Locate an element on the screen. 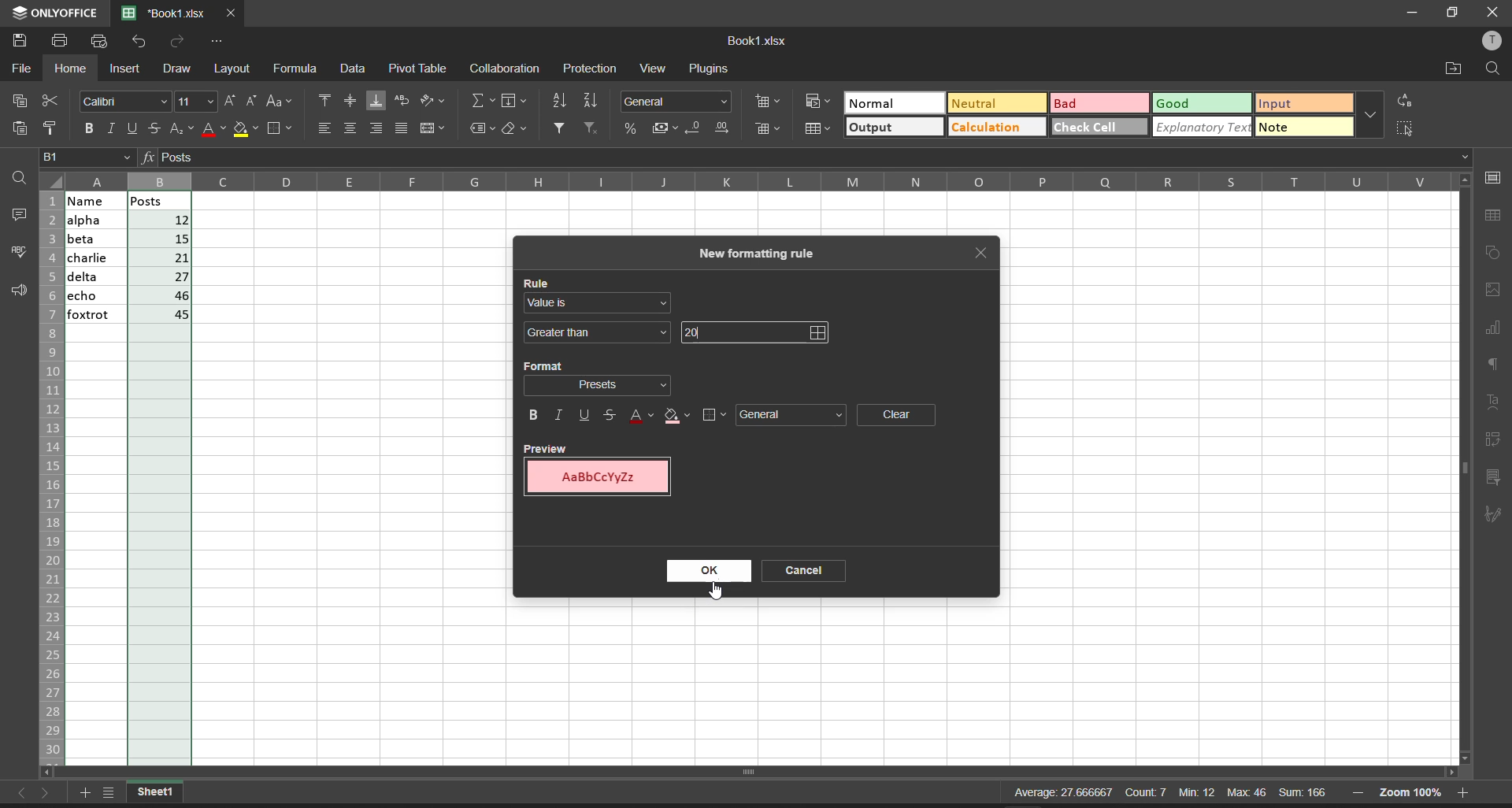  copy is located at coordinates (14, 102).